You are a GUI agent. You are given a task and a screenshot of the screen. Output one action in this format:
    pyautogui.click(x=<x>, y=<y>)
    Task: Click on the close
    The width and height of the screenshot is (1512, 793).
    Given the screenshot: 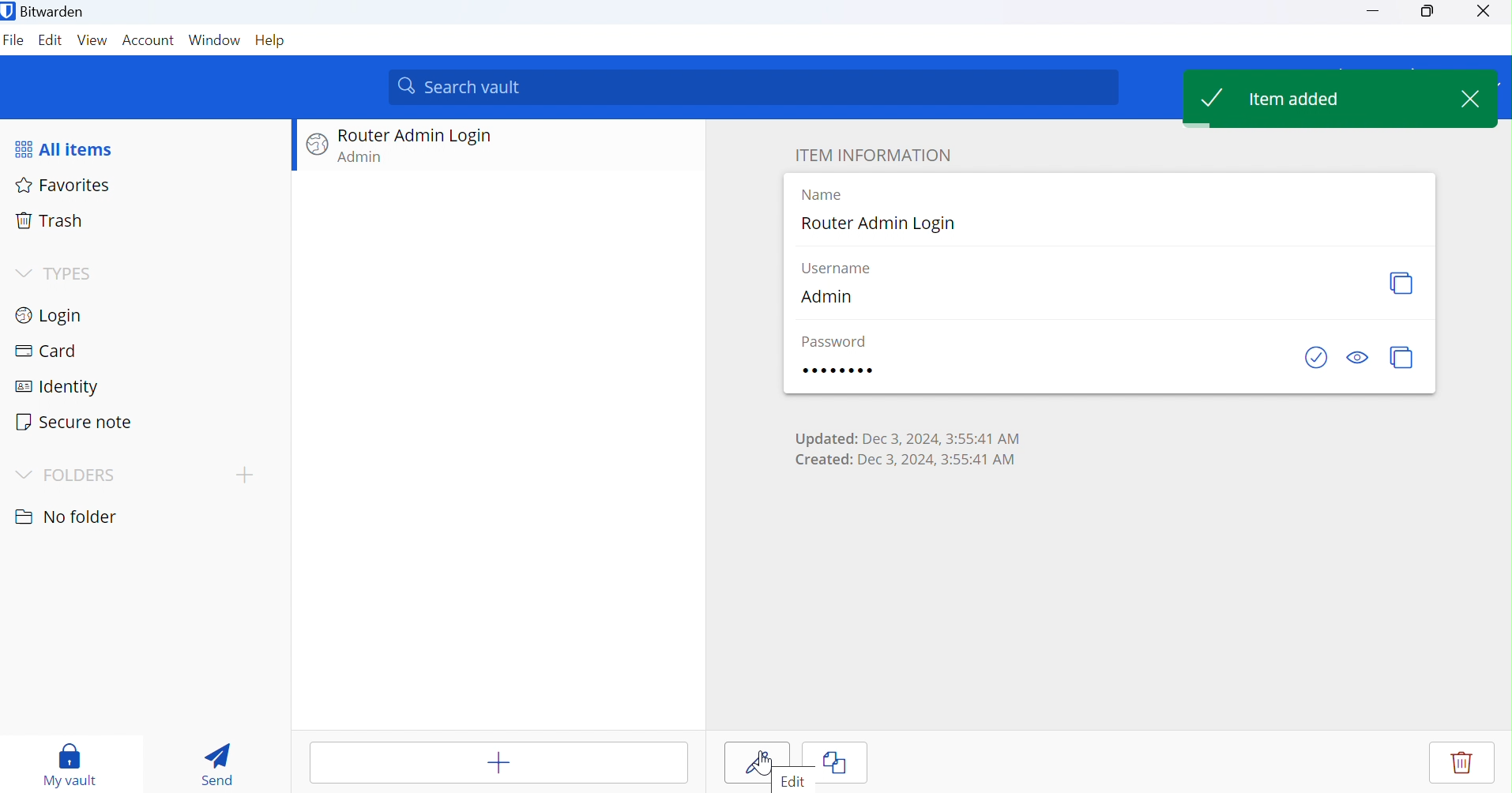 What is the action you would take?
    pyautogui.click(x=1482, y=13)
    